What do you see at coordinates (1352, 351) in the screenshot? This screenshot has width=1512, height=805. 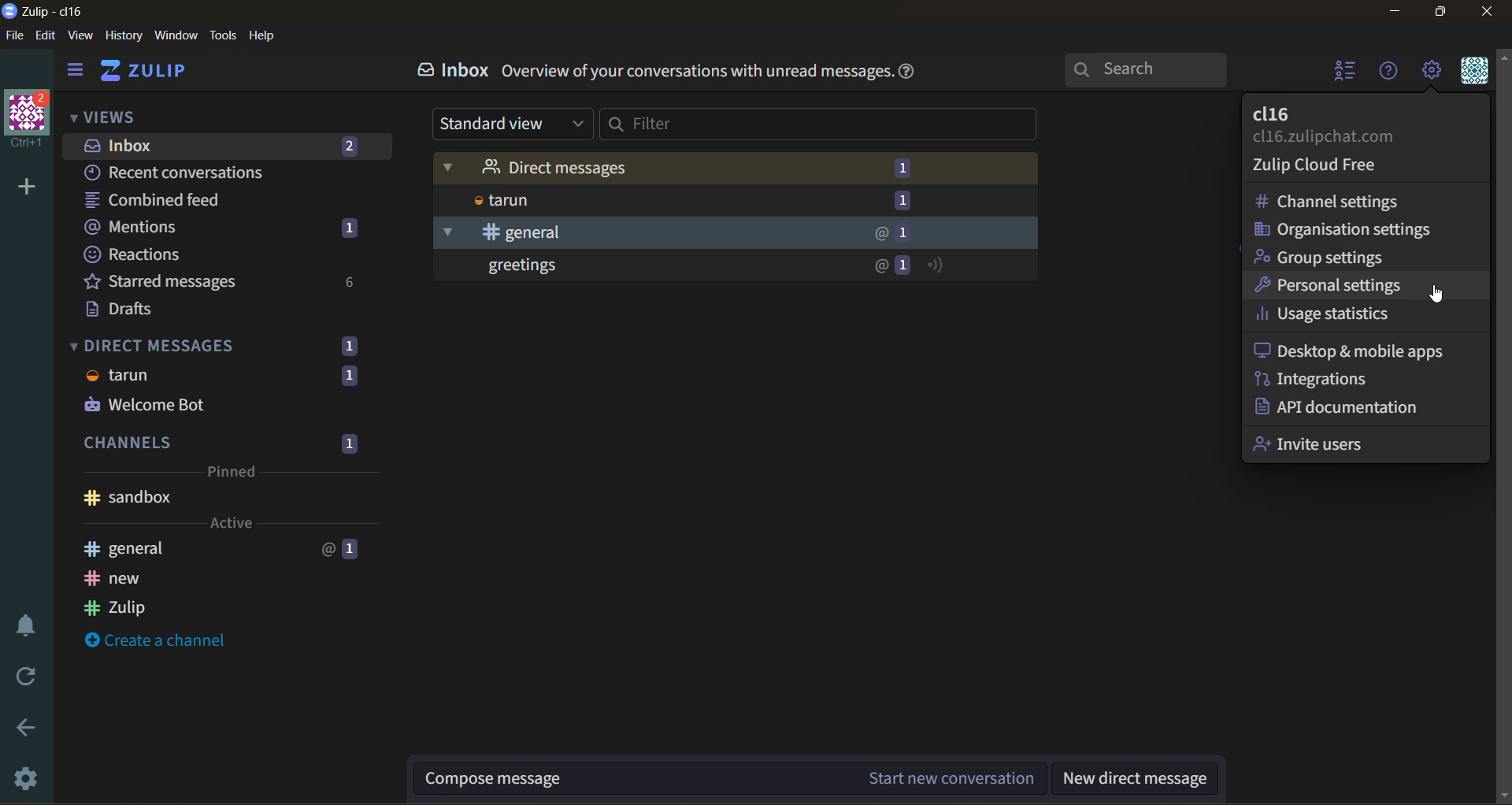 I see `desktop and mobile apps` at bounding box center [1352, 351].